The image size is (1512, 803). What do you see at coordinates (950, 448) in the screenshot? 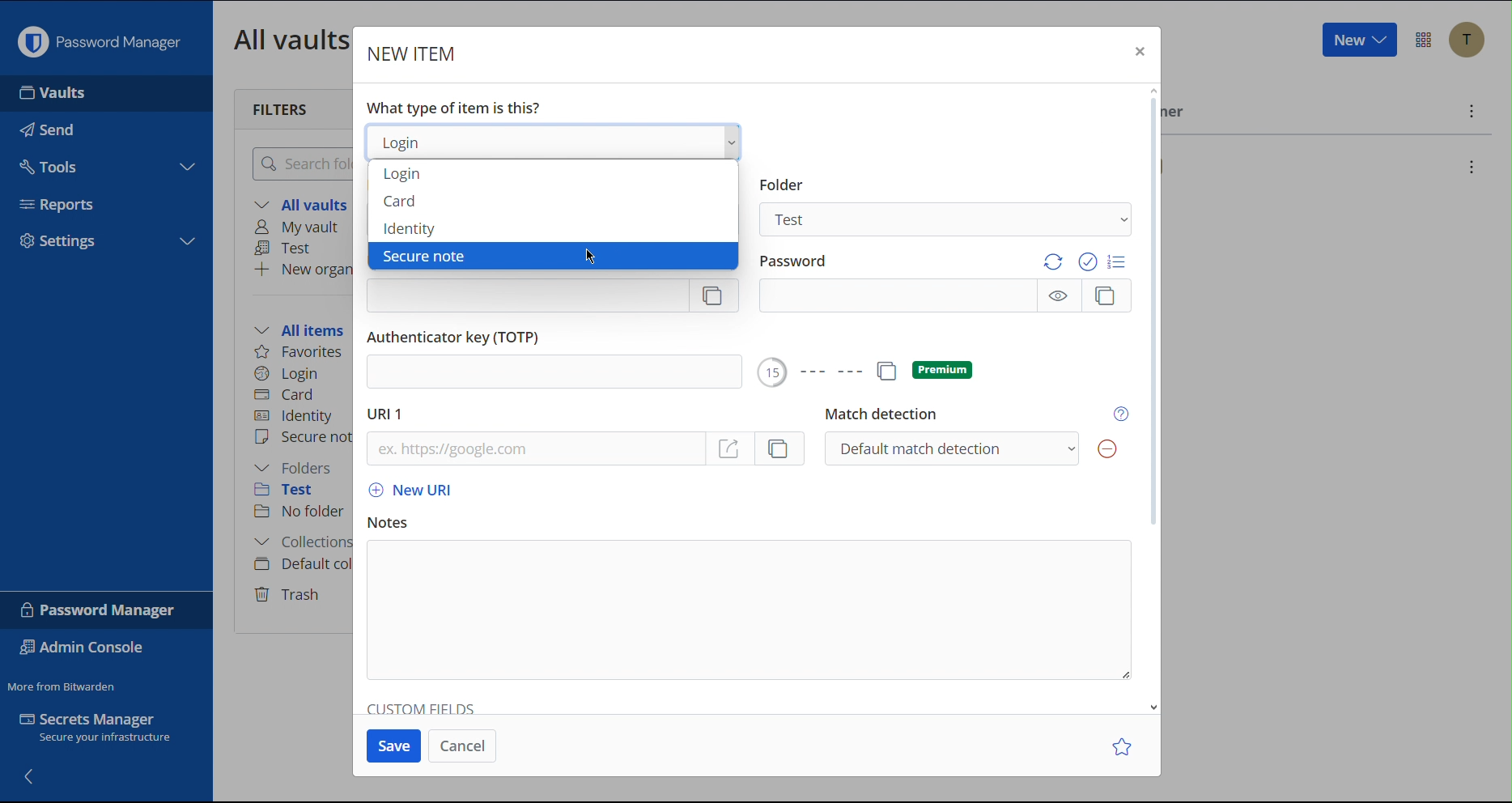
I see `Default Match Detection` at bounding box center [950, 448].